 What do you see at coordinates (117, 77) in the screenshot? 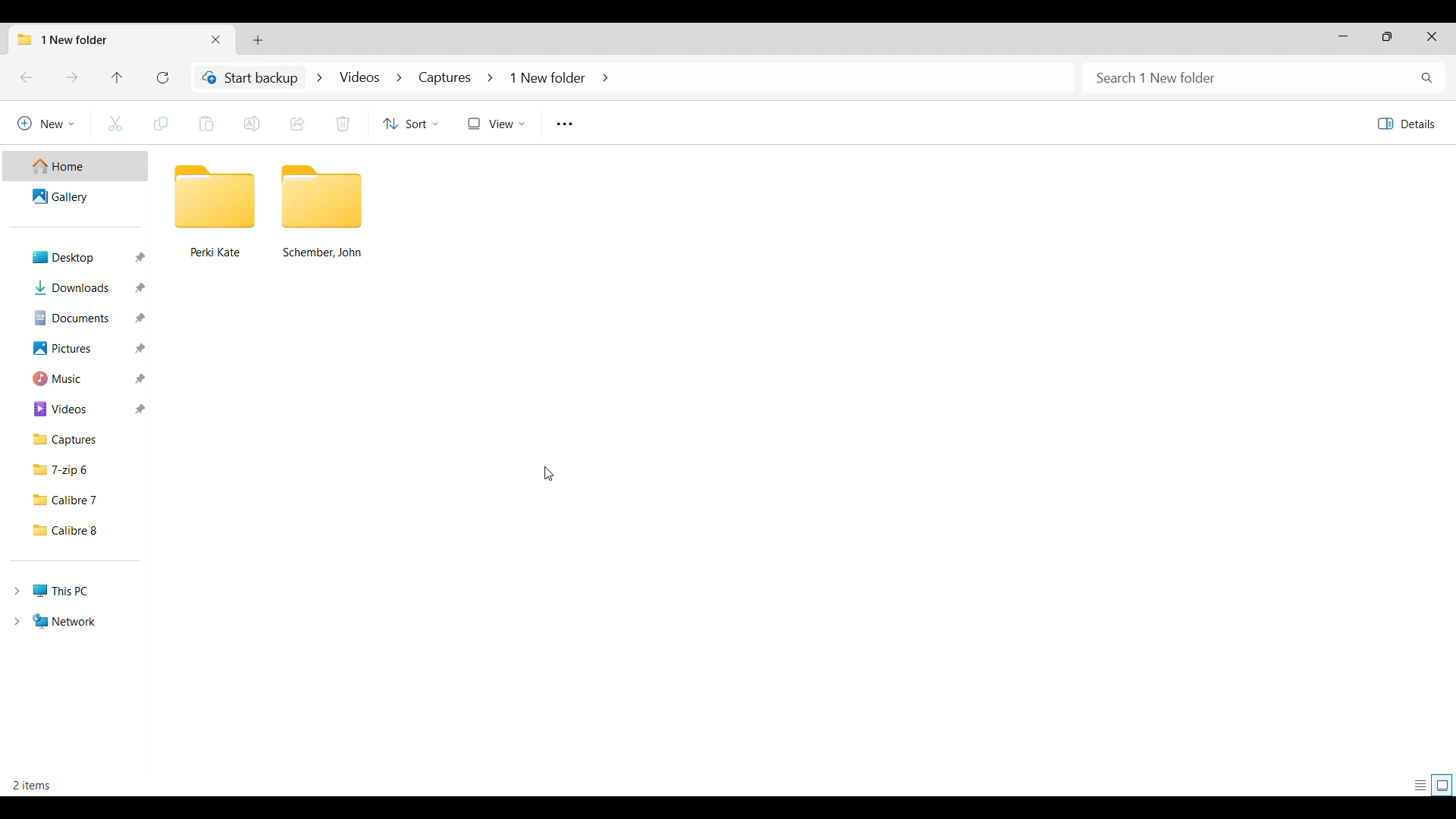
I see `Move to previous folder` at bounding box center [117, 77].